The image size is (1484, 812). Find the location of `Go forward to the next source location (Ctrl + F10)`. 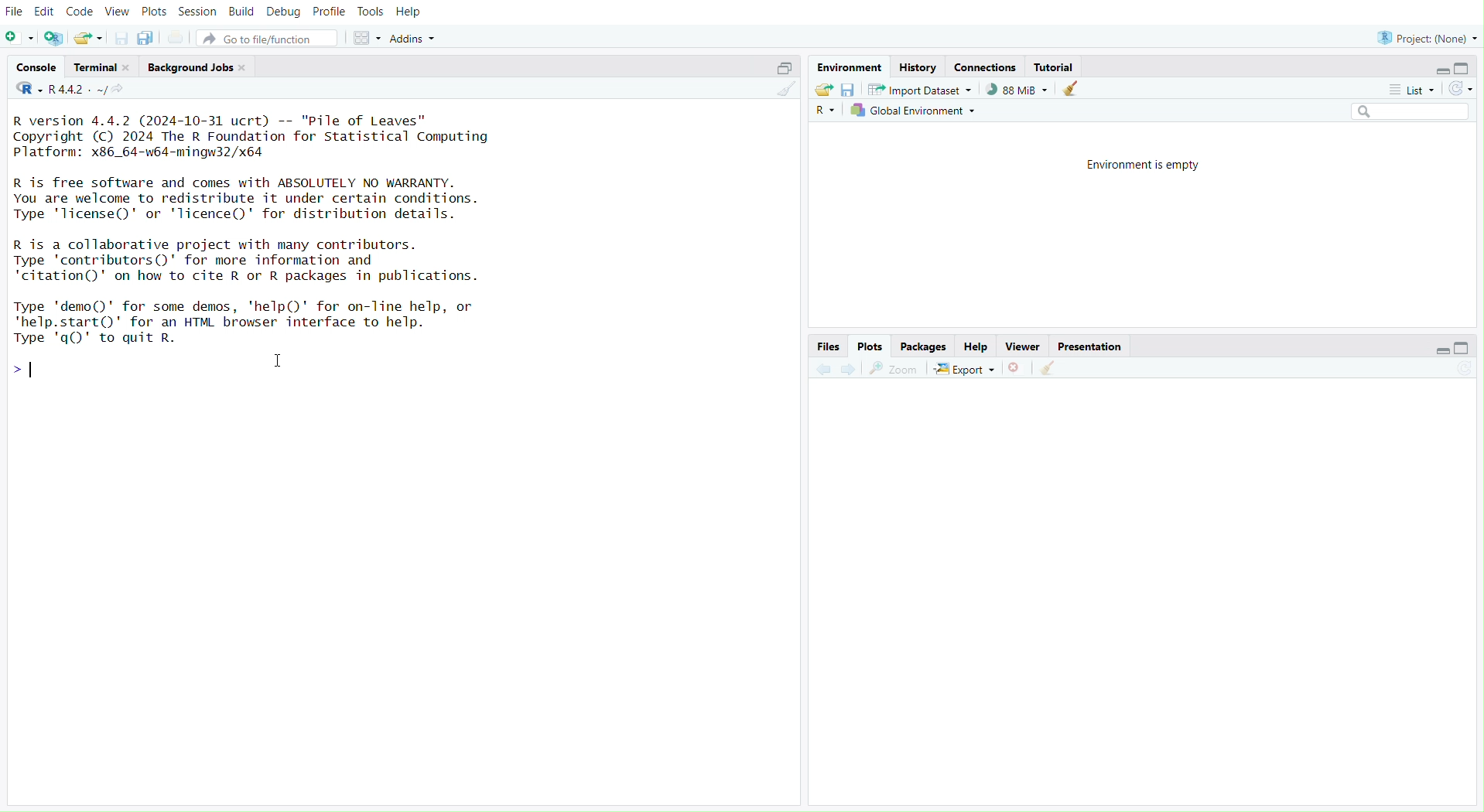

Go forward to the next source location (Ctrl + F10) is located at coordinates (850, 370).